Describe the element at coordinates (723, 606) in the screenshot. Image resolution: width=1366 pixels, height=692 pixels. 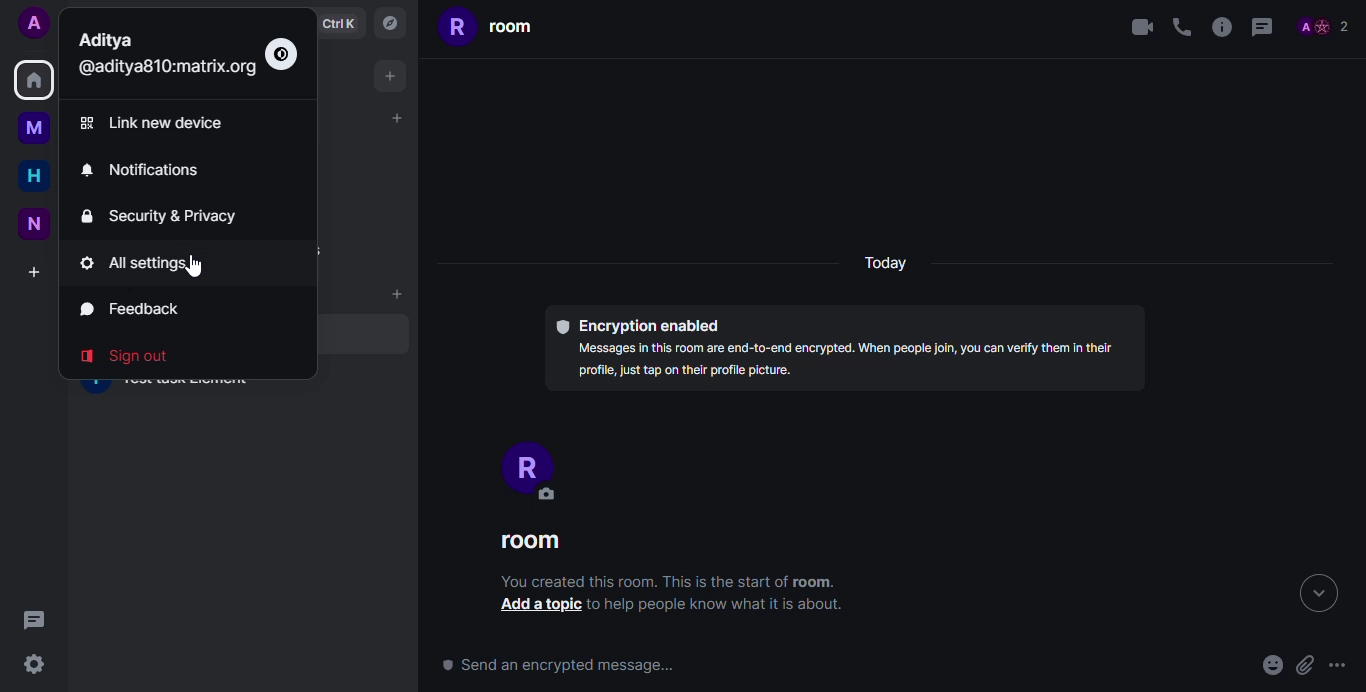
I see `to help people know what is It about.` at that location.